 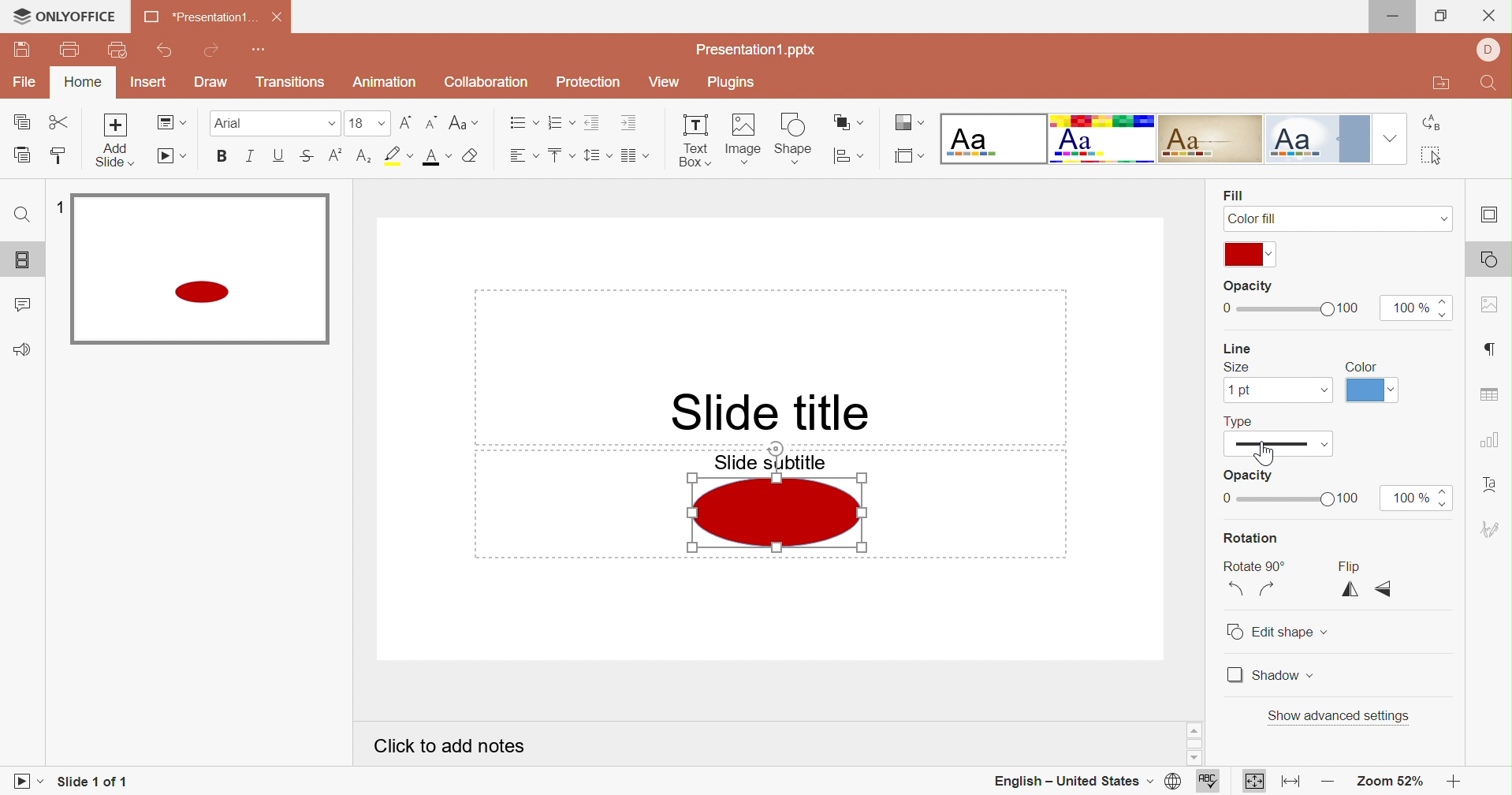 What do you see at coordinates (1492, 305) in the screenshot?
I see `Image settings` at bounding box center [1492, 305].